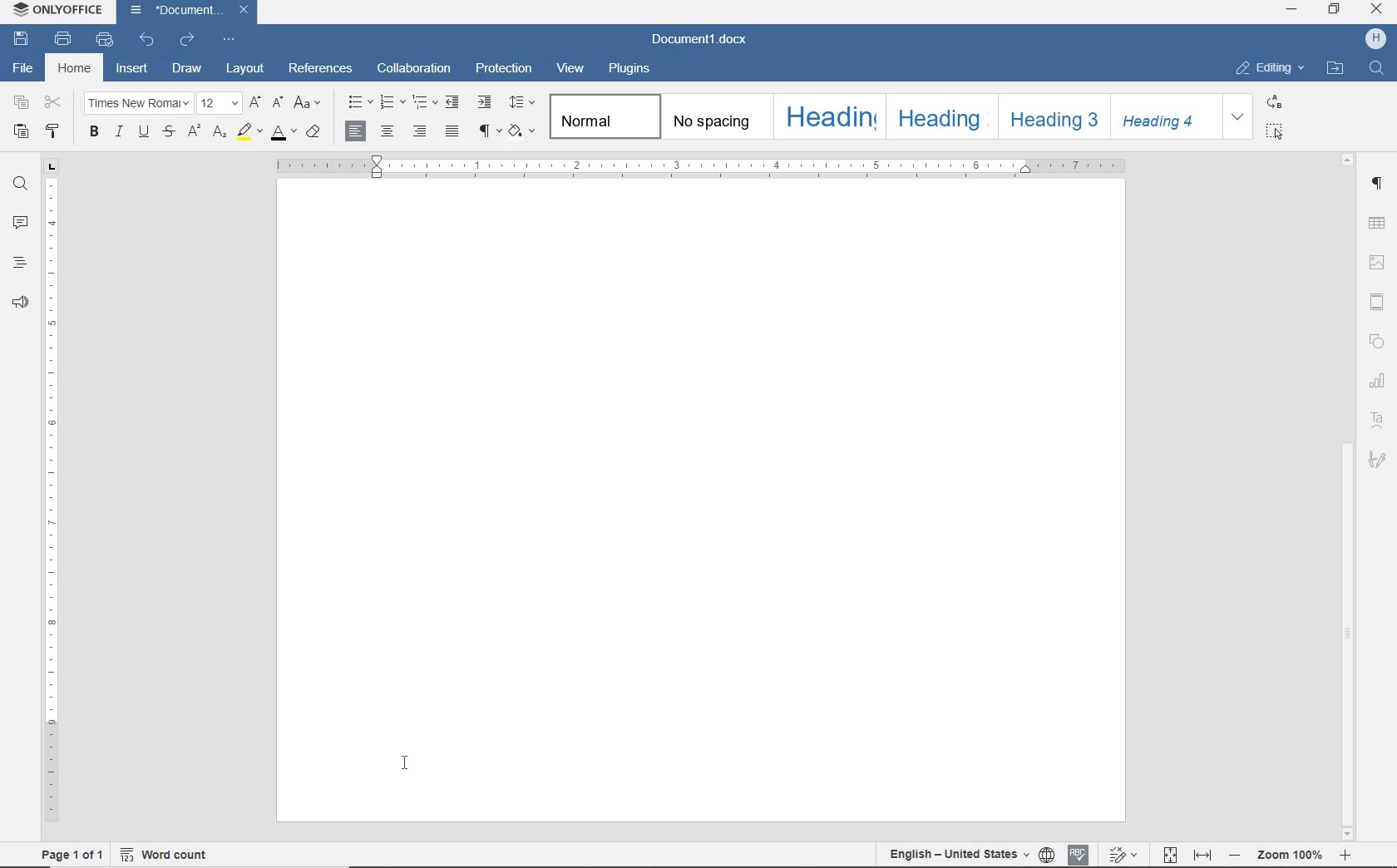  Describe the element at coordinates (1271, 69) in the screenshot. I see `editing` at that location.